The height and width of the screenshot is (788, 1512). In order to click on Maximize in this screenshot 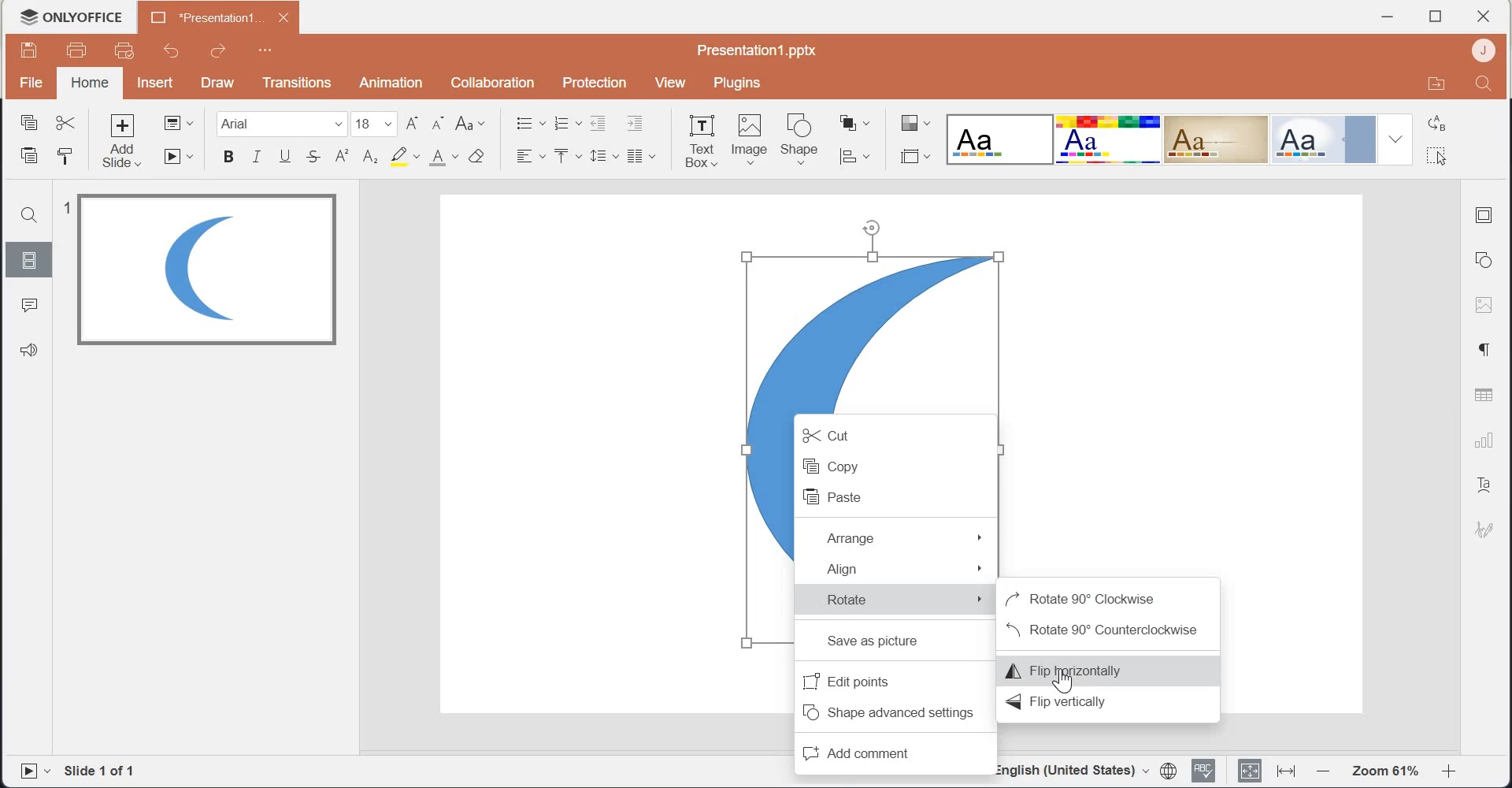, I will do `click(1436, 17)`.